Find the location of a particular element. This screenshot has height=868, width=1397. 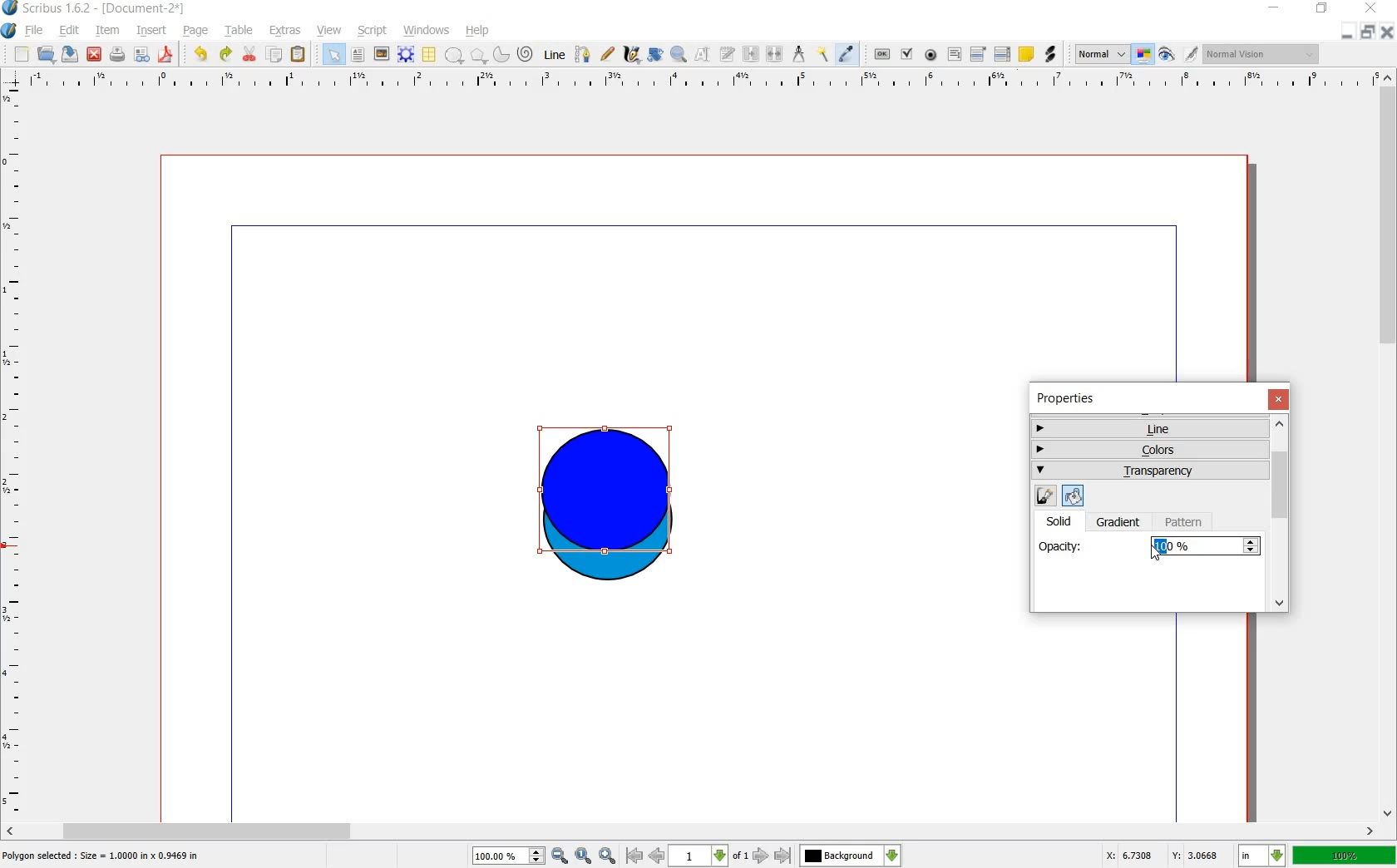

scrollbar is located at coordinates (1281, 515).